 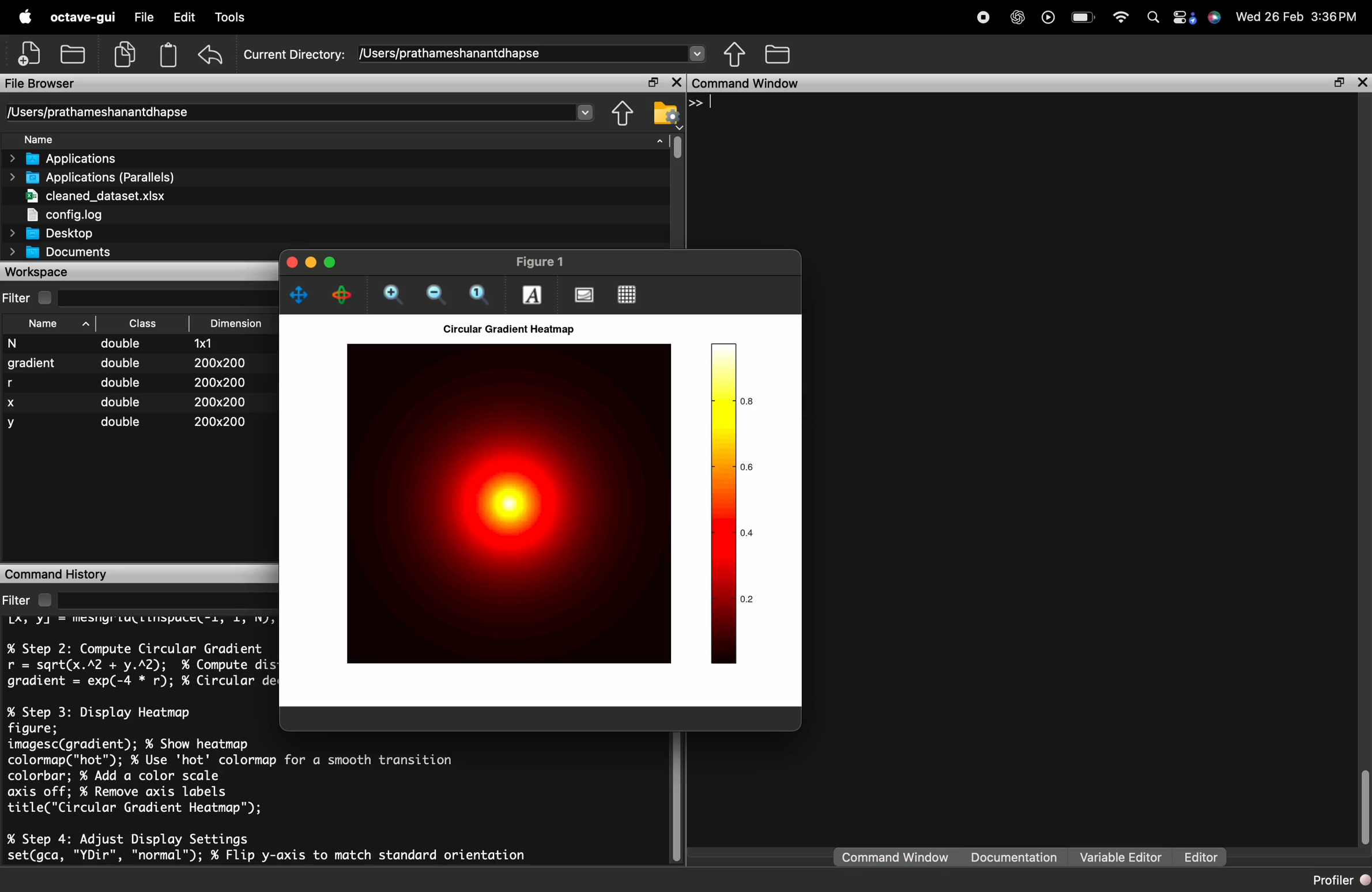 What do you see at coordinates (1360, 83) in the screenshot?
I see `close` at bounding box center [1360, 83].